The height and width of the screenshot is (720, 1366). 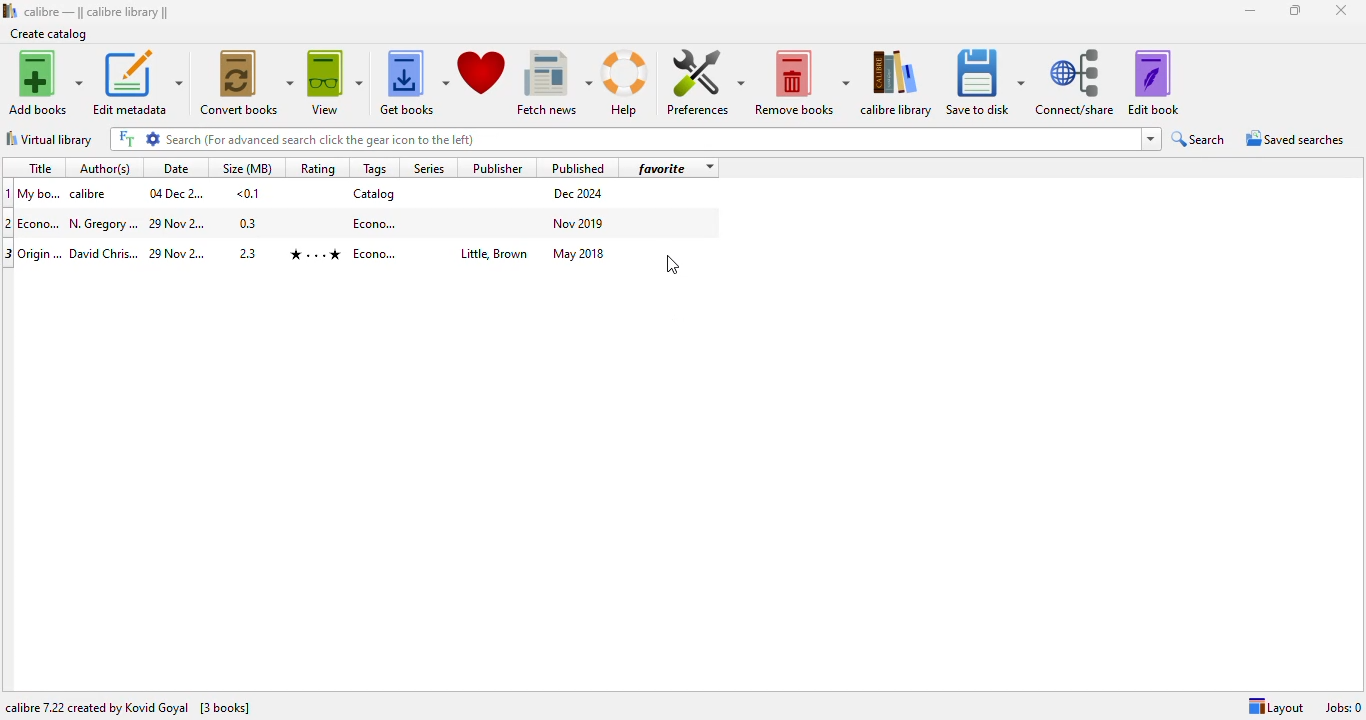 What do you see at coordinates (708, 168) in the screenshot?
I see `dropdown` at bounding box center [708, 168].